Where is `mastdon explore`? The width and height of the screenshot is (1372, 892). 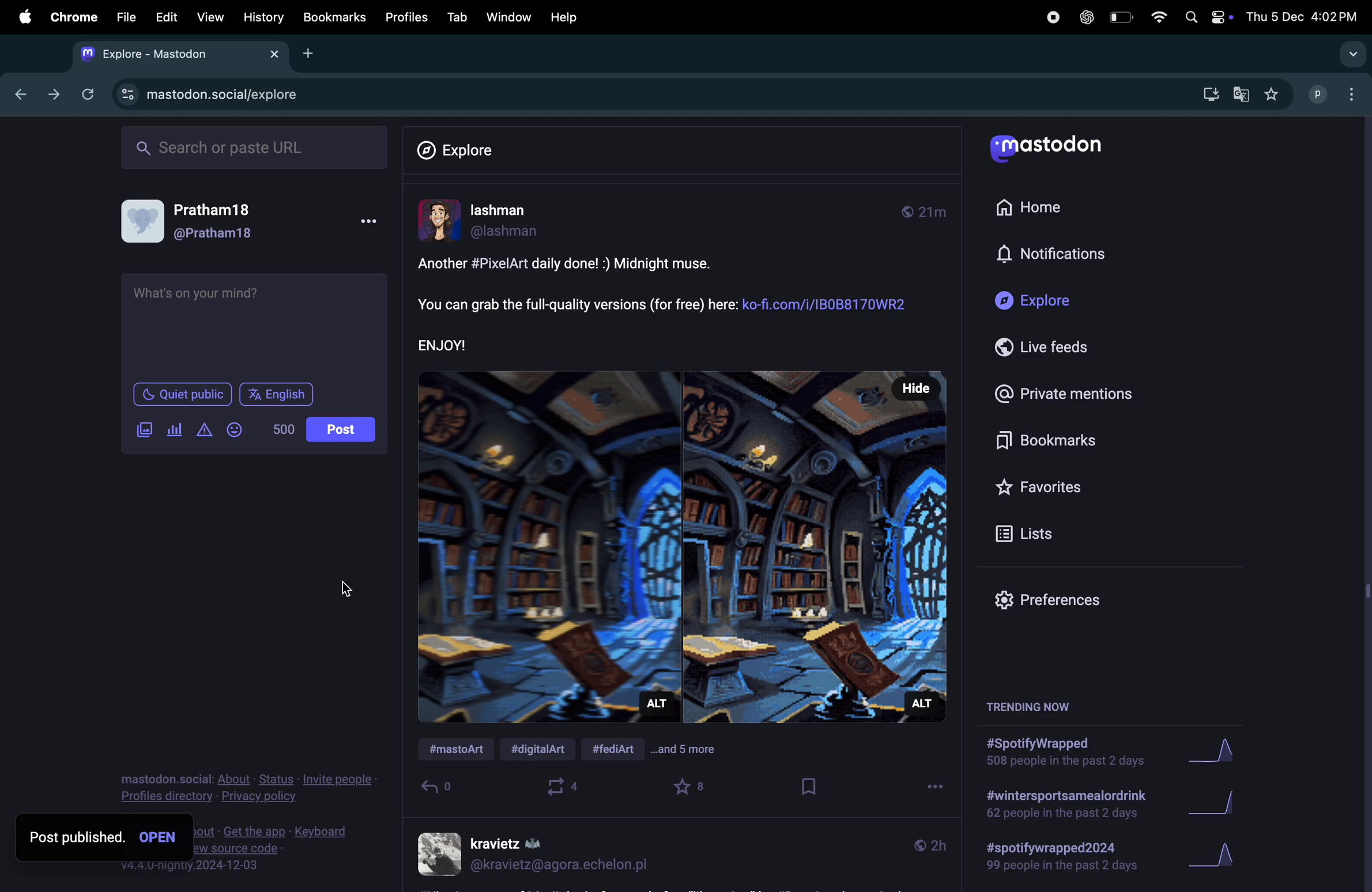 mastdon explore is located at coordinates (224, 95).